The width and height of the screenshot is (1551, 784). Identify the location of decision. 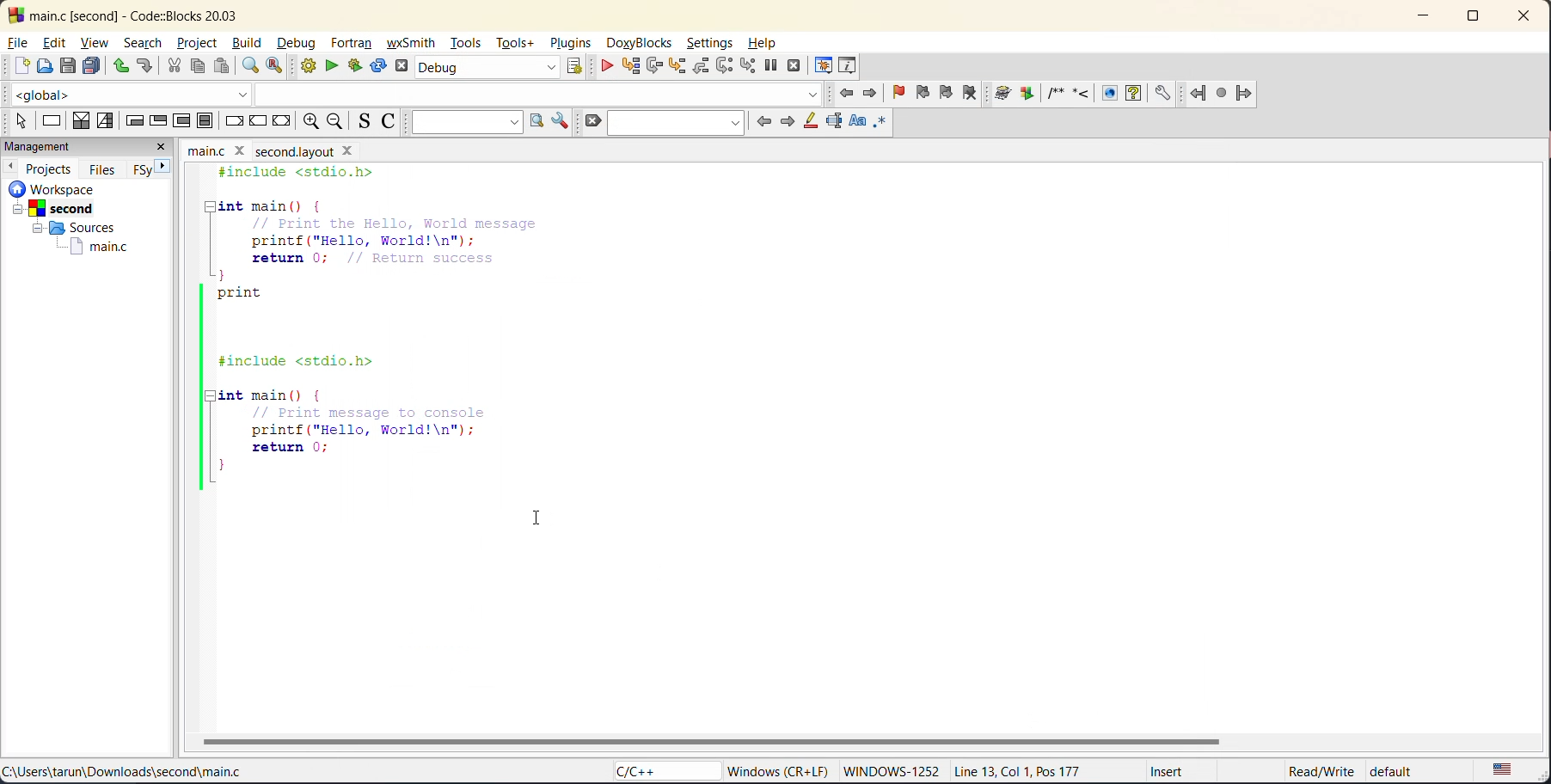
(81, 121).